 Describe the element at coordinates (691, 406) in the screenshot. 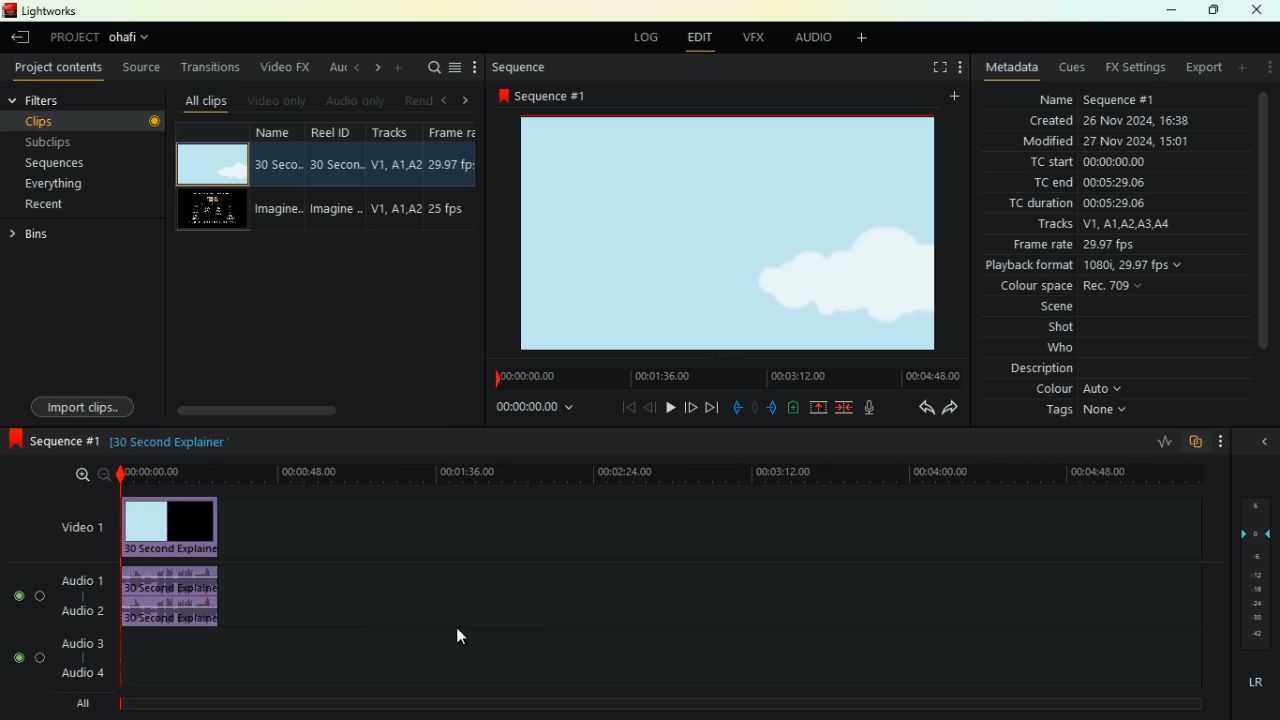

I see `forward` at that location.